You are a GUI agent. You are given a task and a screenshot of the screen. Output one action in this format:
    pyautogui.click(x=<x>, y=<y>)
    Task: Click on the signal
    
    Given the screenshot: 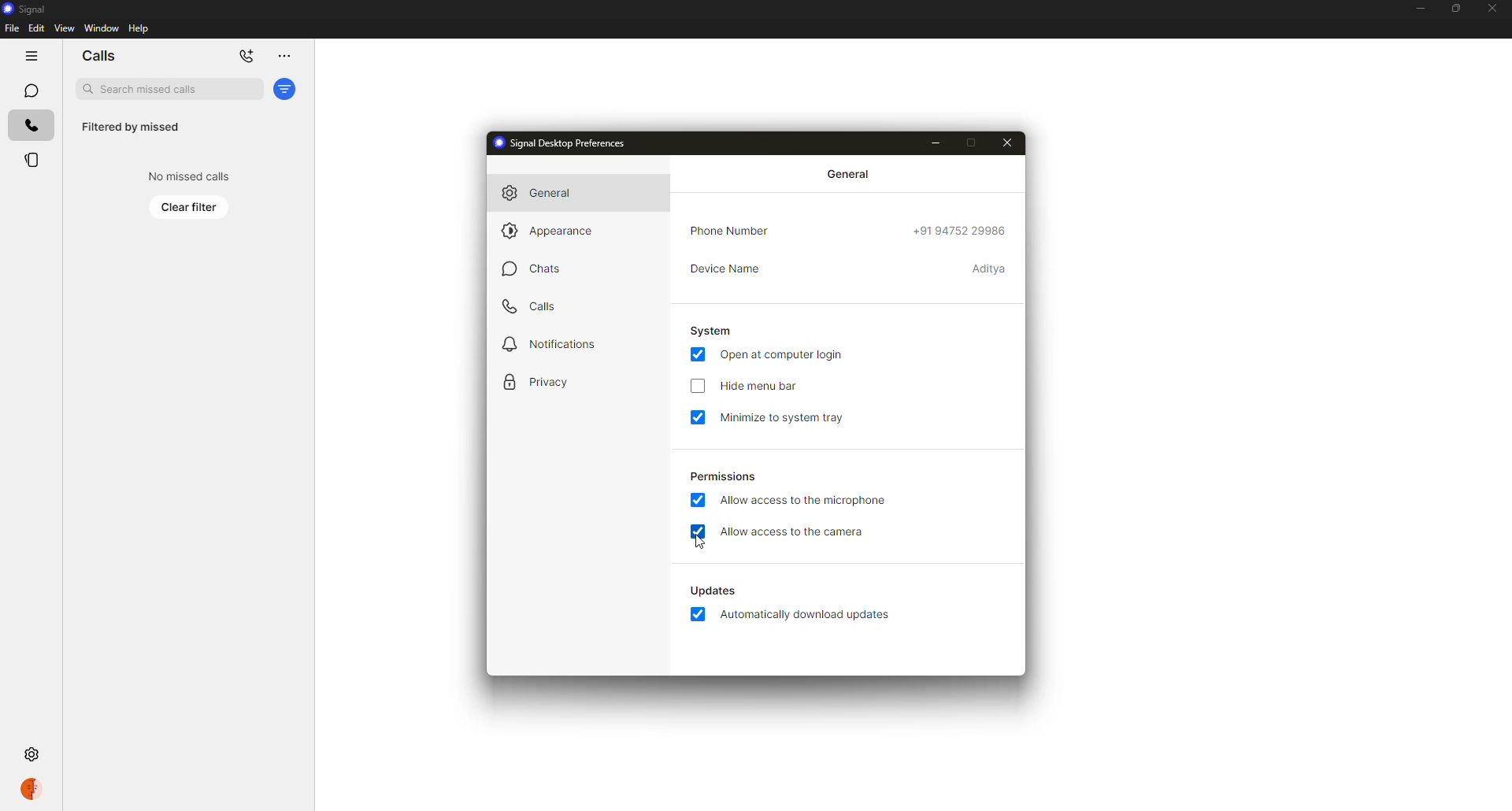 What is the action you would take?
    pyautogui.click(x=26, y=8)
    